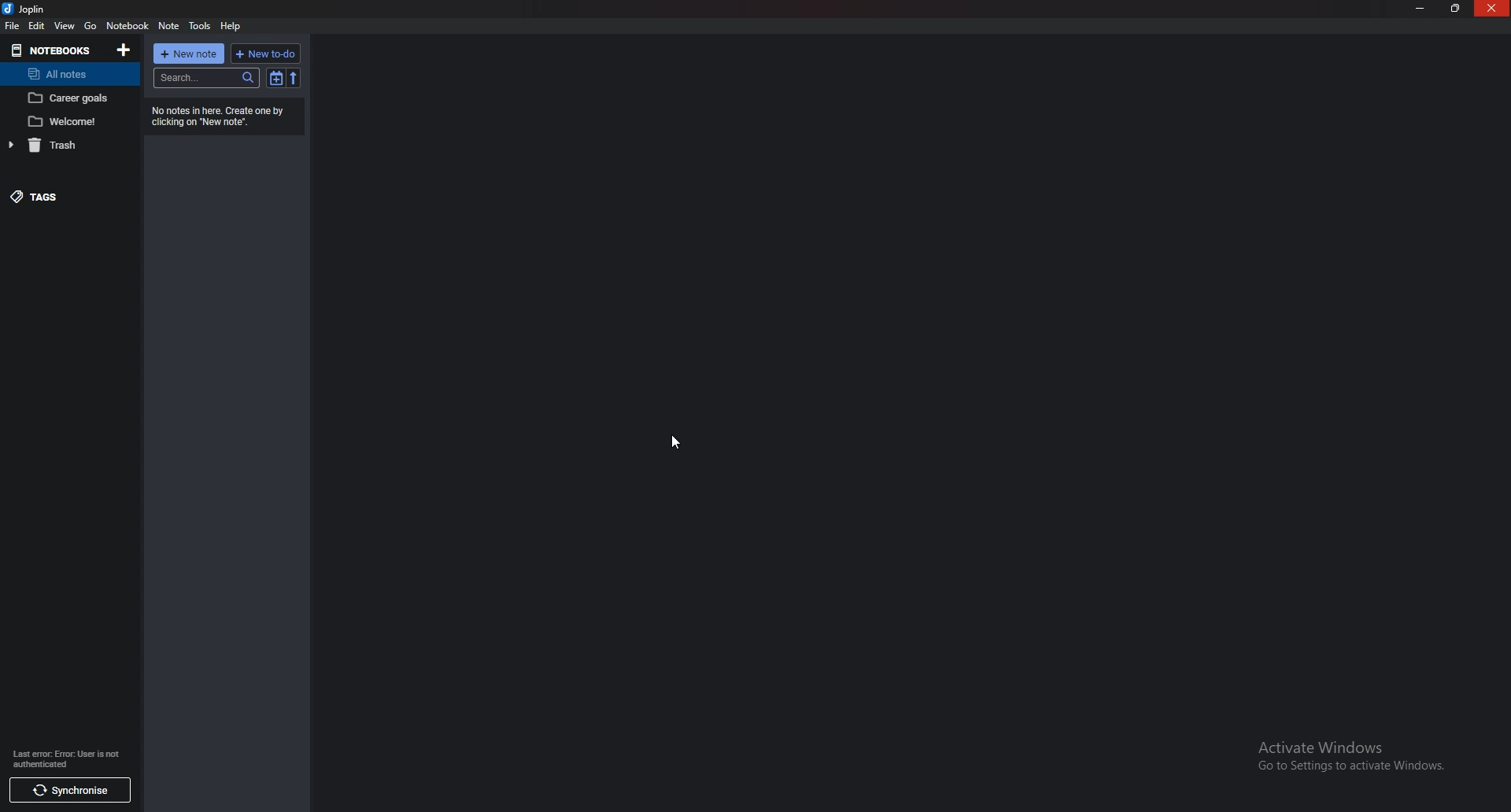 The height and width of the screenshot is (812, 1511). Describe the element at coordinates (1354, 756) in the screenshot. I see `Activate windows pop up` at that location.